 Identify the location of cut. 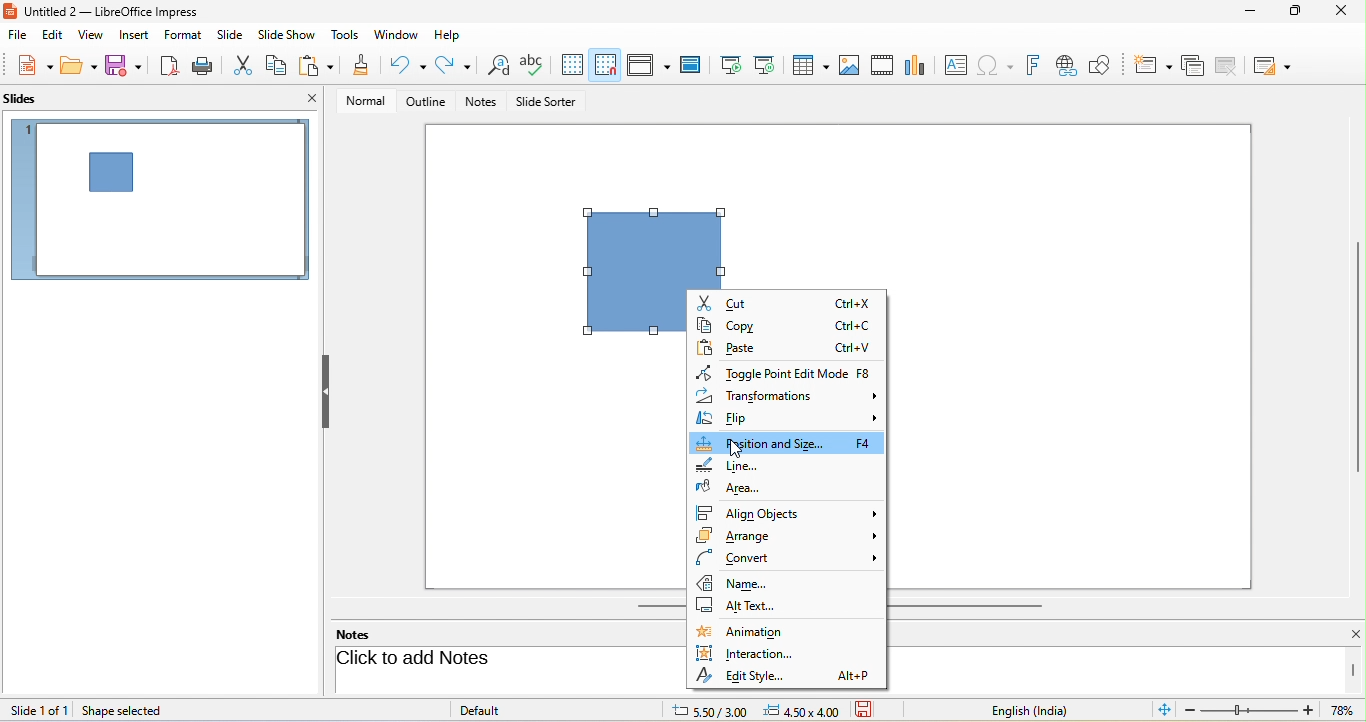
(783, 303).